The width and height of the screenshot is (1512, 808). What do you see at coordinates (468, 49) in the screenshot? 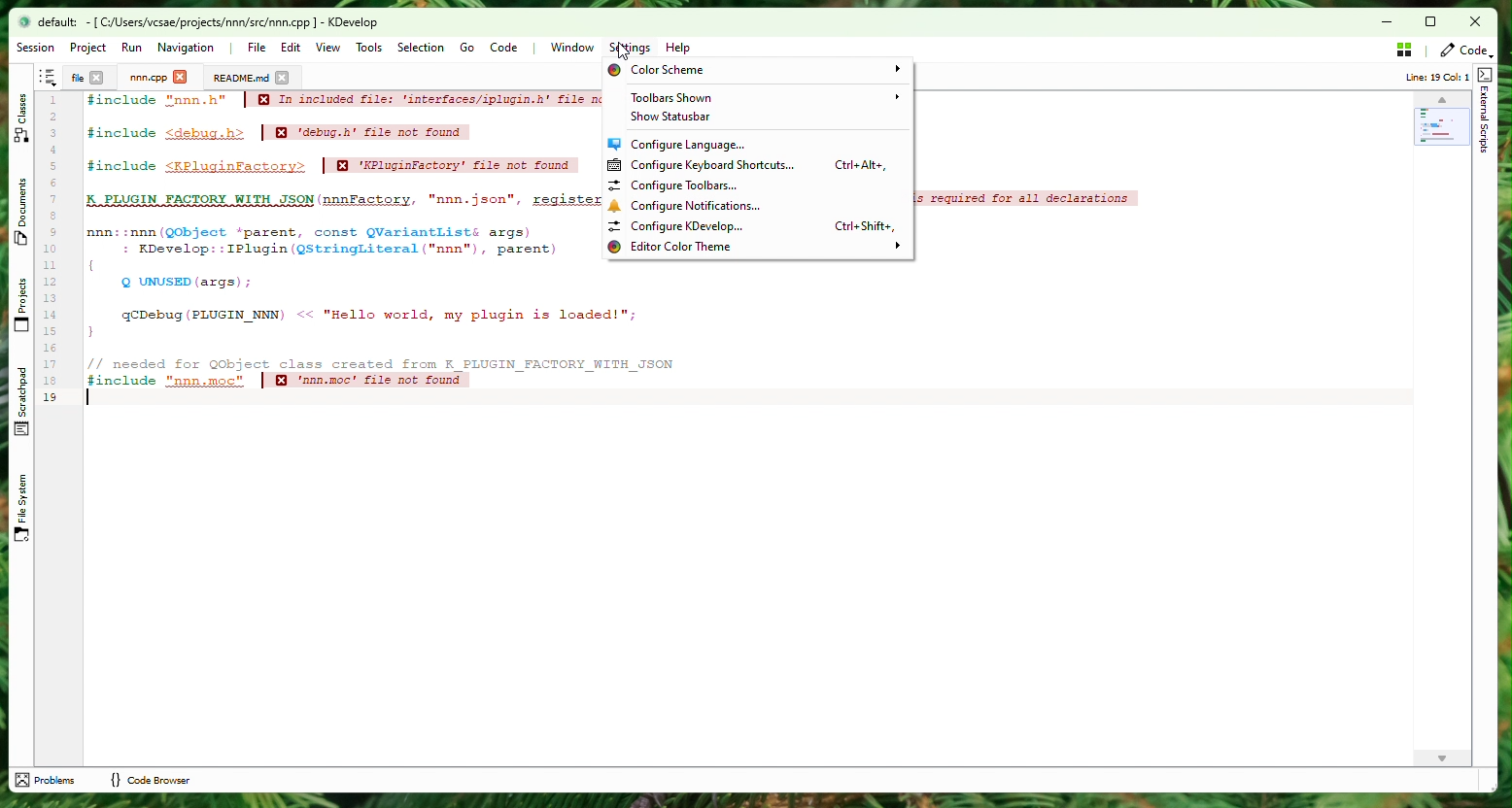
I see `Go` at bounding box center [468, 49].